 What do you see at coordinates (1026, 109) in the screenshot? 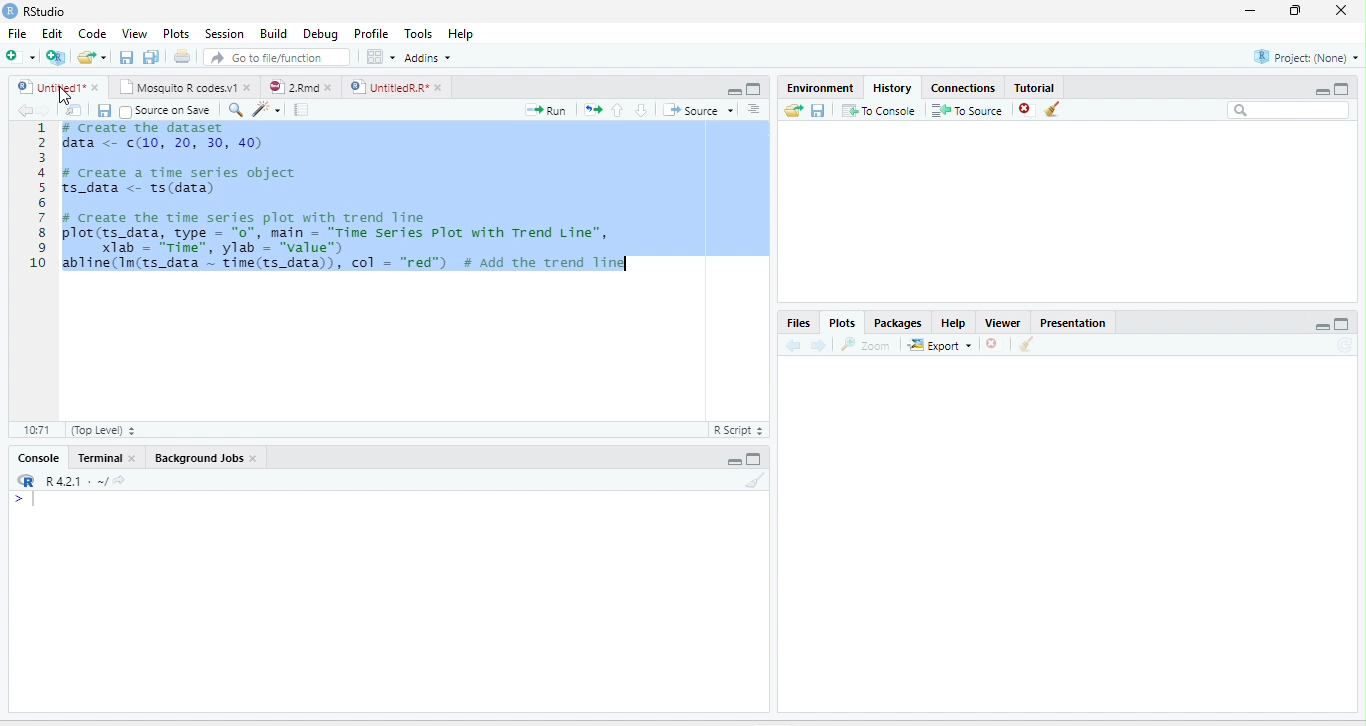
I see `Remove the selected history entries` at bounding box center [1026, 109].